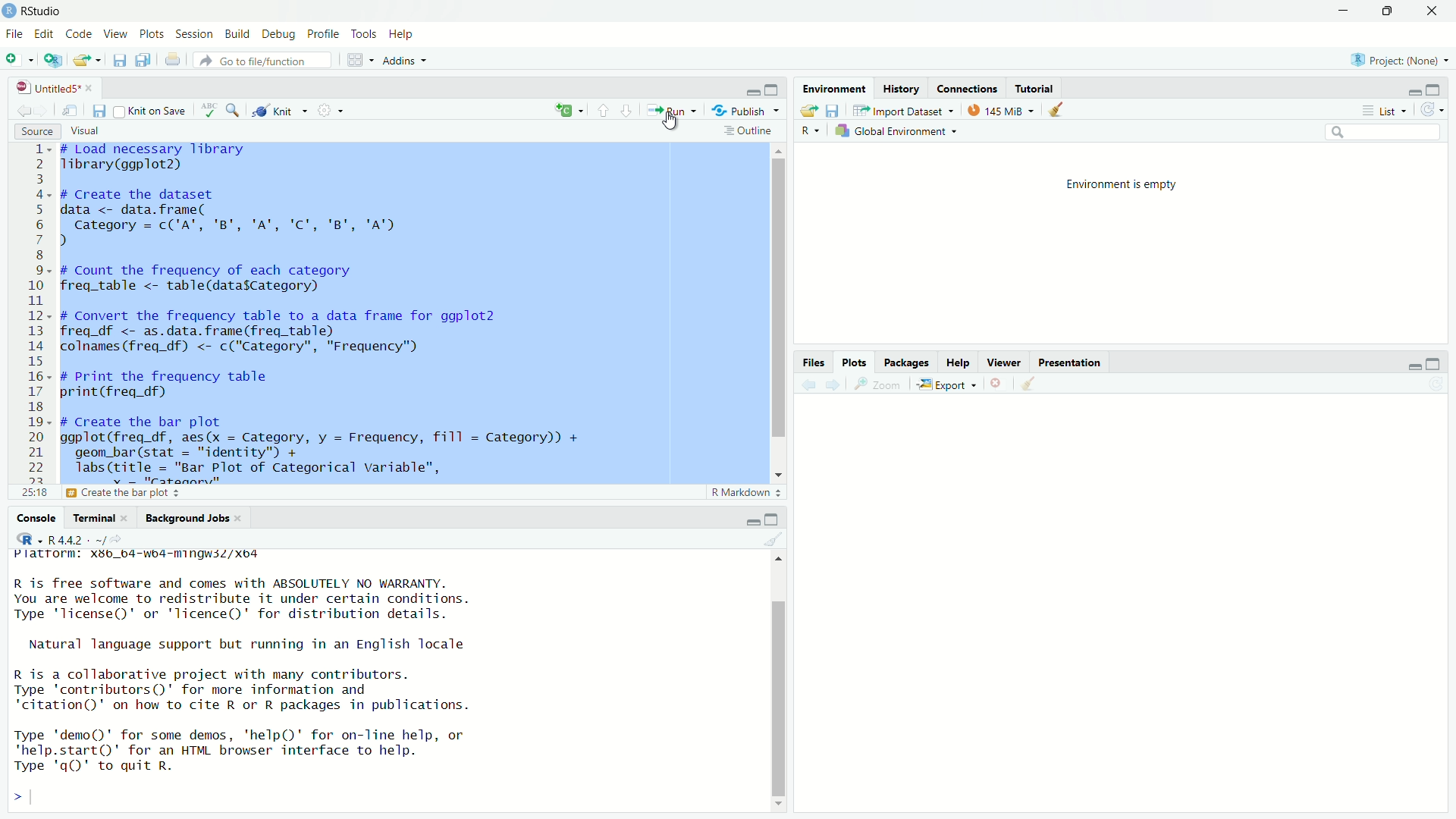 The height and width of the screenshot is (819, 1456). I want to click on minimize, so click(754, 93).